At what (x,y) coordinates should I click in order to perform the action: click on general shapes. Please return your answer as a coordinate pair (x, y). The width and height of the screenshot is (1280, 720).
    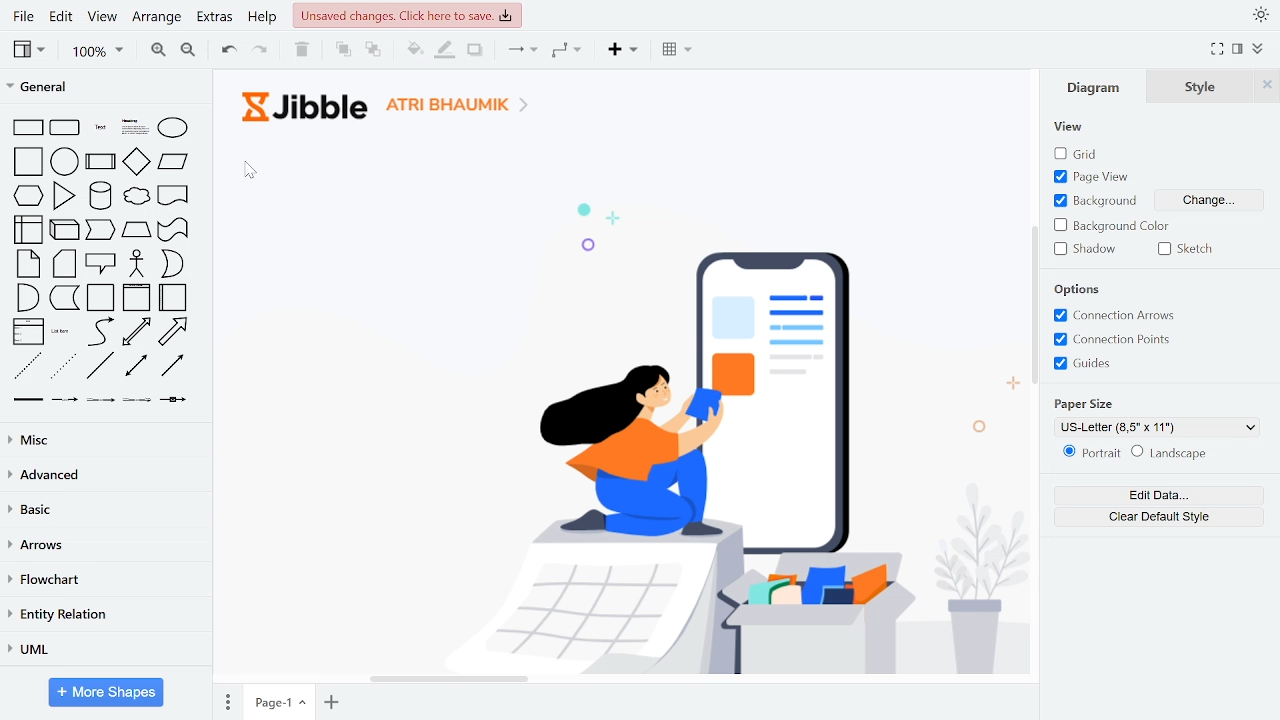
    Looking at the image, I should click on (173, 400).